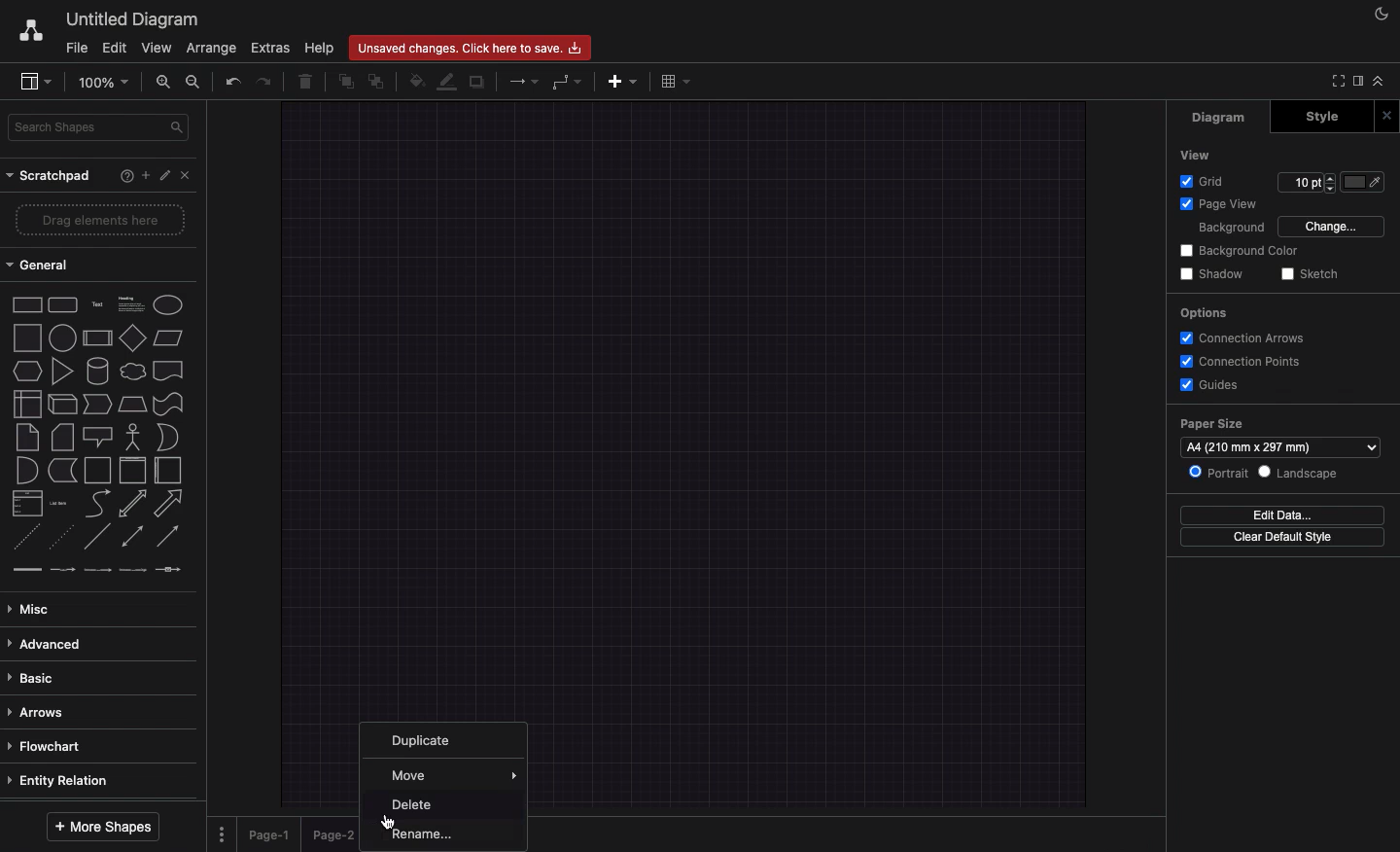 The width and height of the screenshot is (1400, 852). I want to click on Waypoints, so click(567, 83).